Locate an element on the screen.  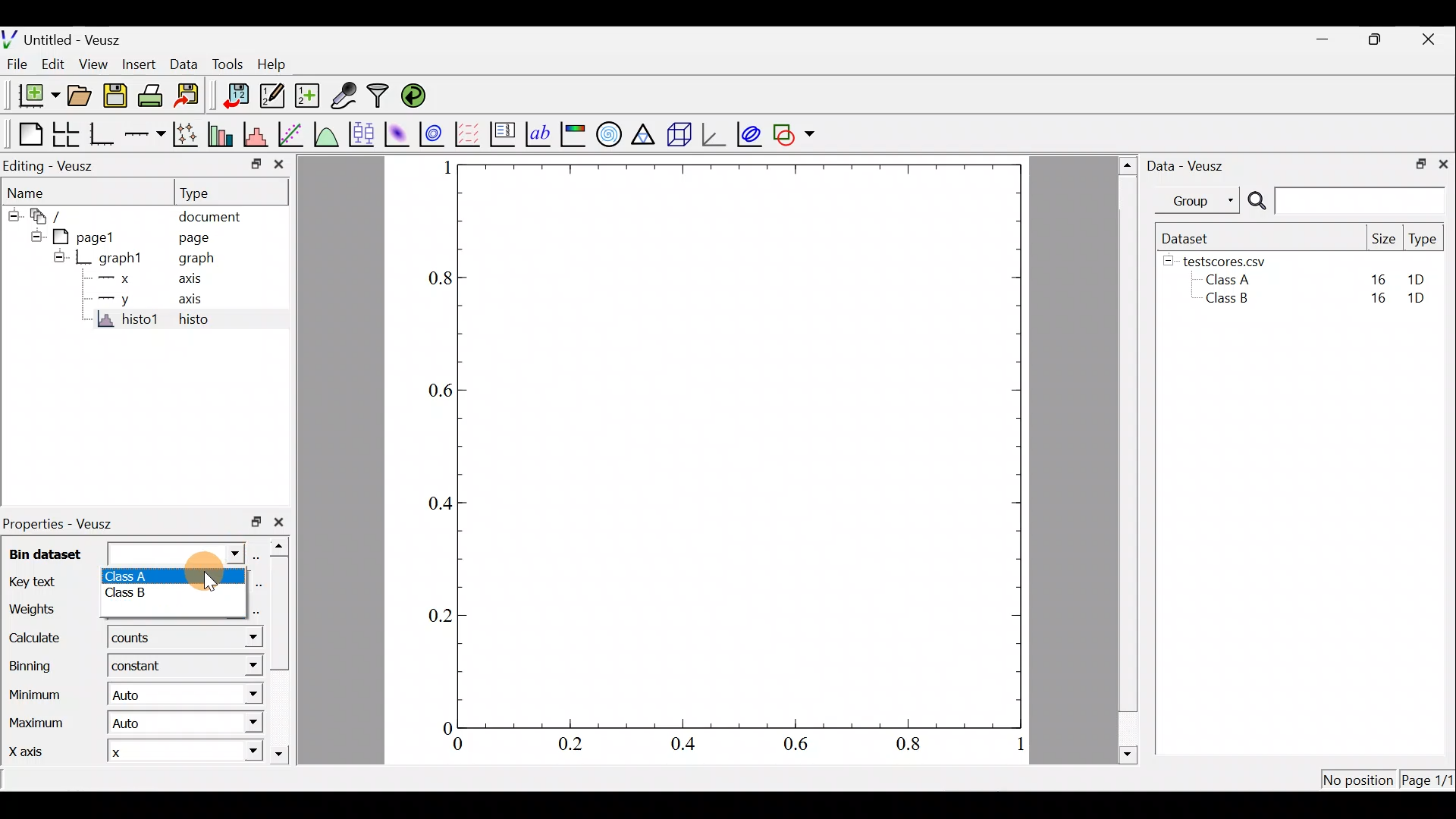
Close is located at coordinates (1445, 165).